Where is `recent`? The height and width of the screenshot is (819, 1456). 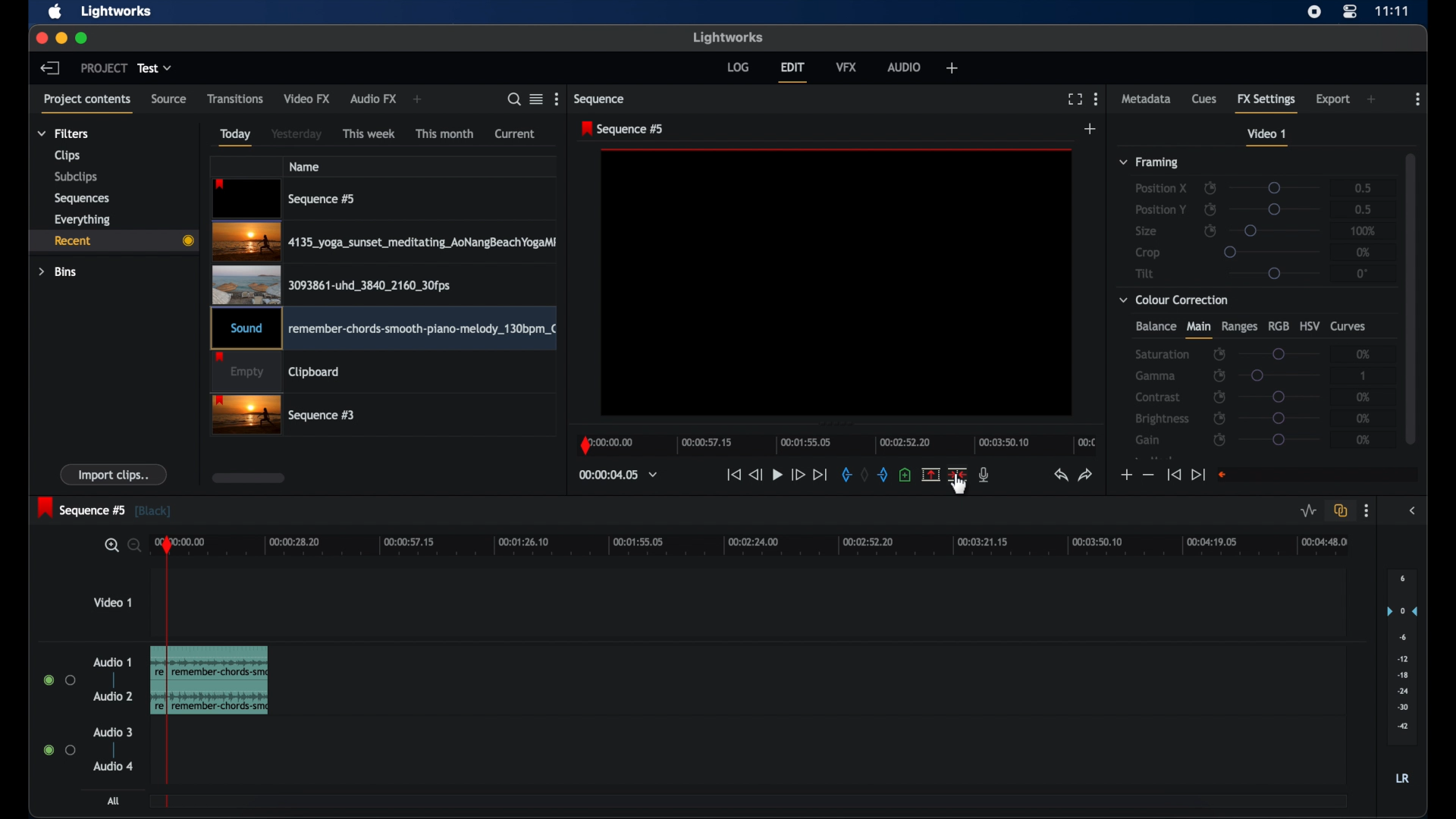
recent is located at coordinates (111, 240).